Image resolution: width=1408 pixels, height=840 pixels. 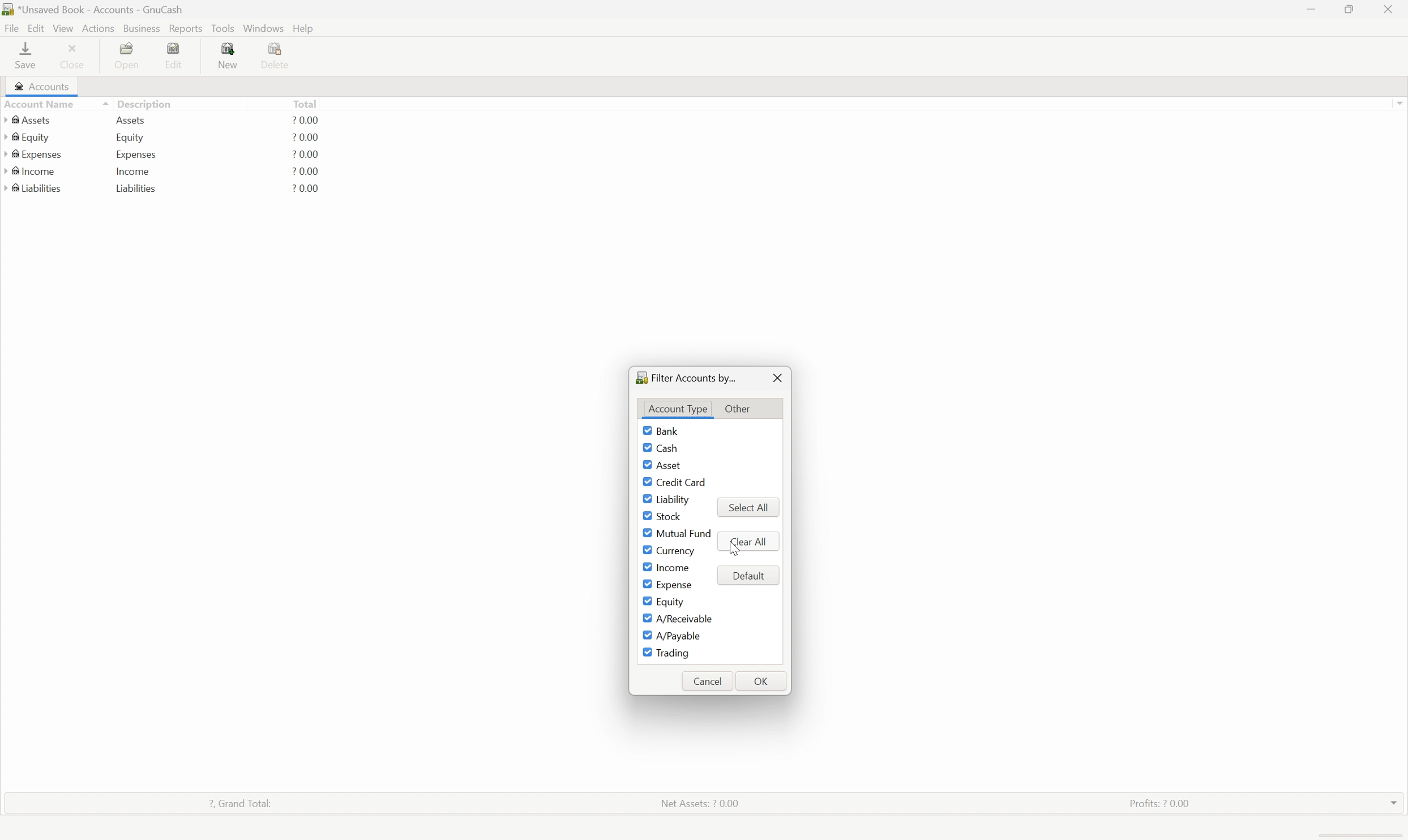 I want to click on Income, so click(x=133, y=170).